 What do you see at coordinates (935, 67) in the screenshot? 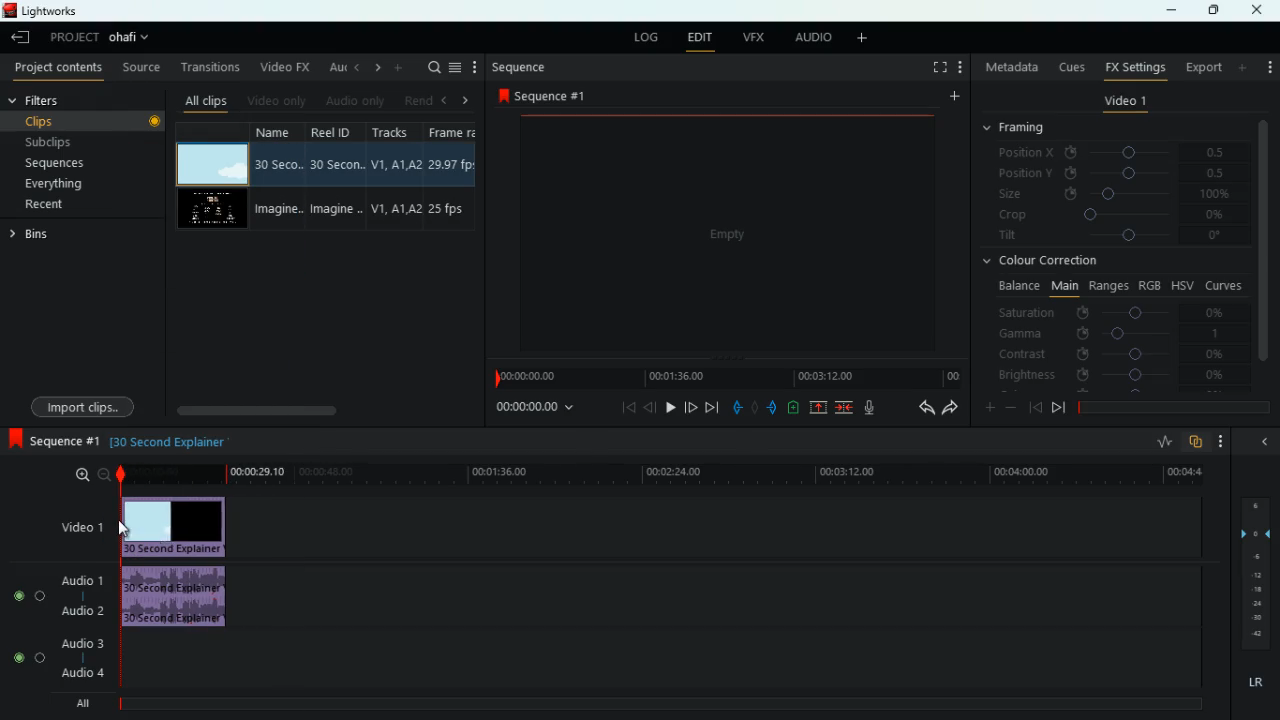
I see `screen` at bounding box center [935, 67].